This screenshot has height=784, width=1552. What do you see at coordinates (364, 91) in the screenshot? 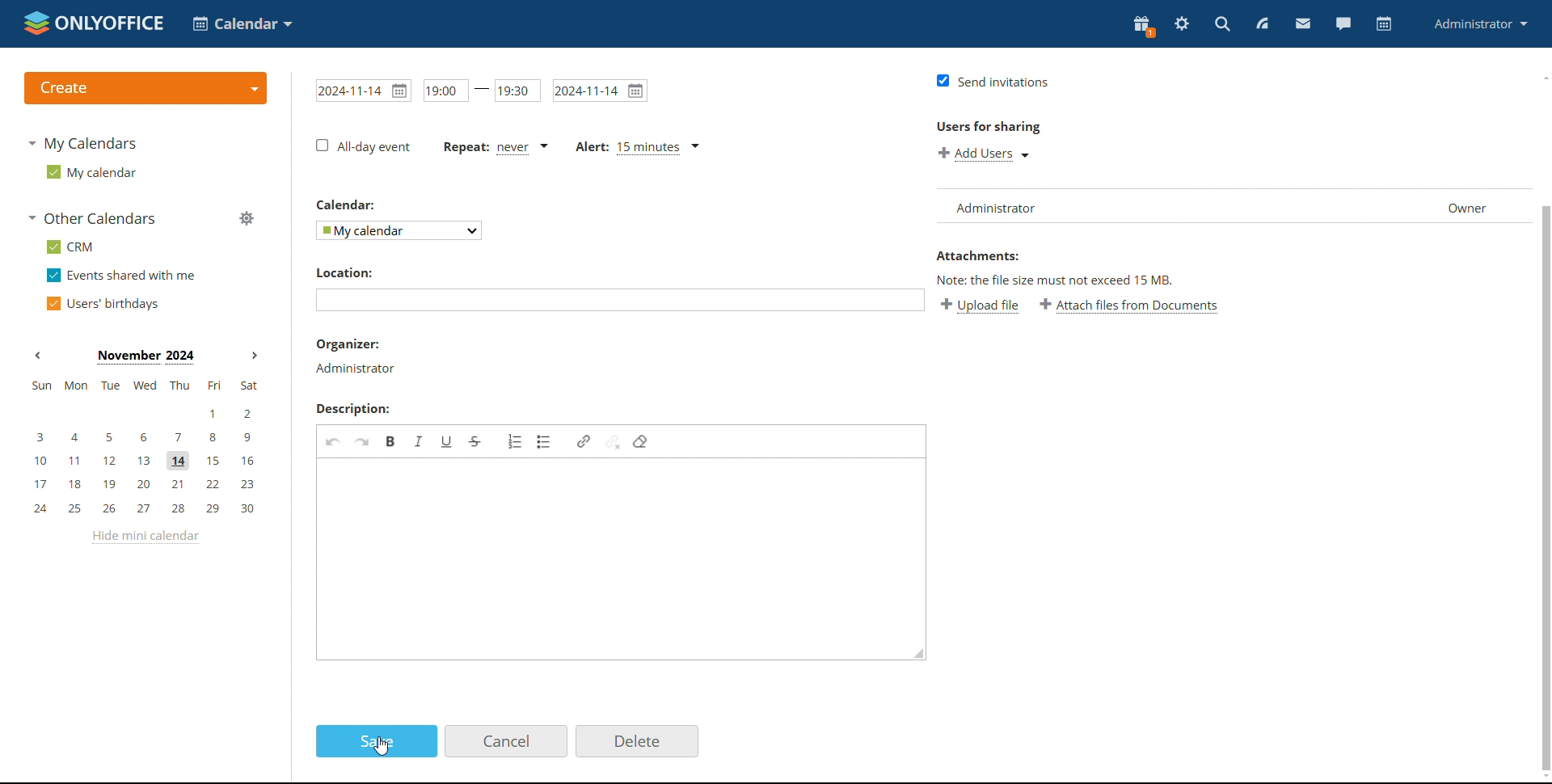
I see `start time` at bounding box center [364, 91].